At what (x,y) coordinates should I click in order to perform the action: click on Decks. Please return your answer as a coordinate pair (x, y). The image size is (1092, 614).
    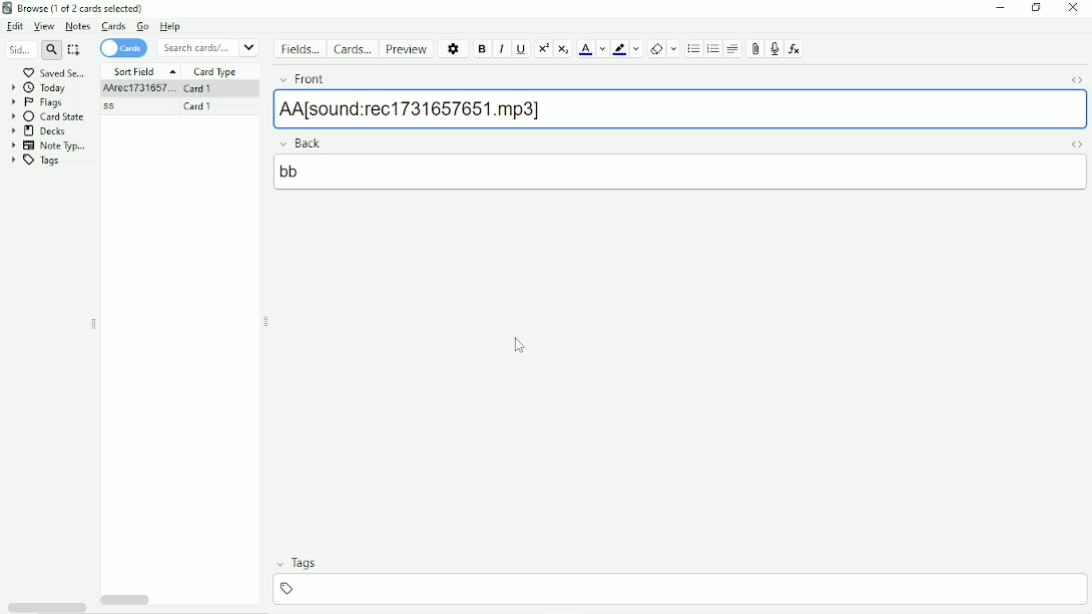
    Looking at the image, I should click on (40, 131).